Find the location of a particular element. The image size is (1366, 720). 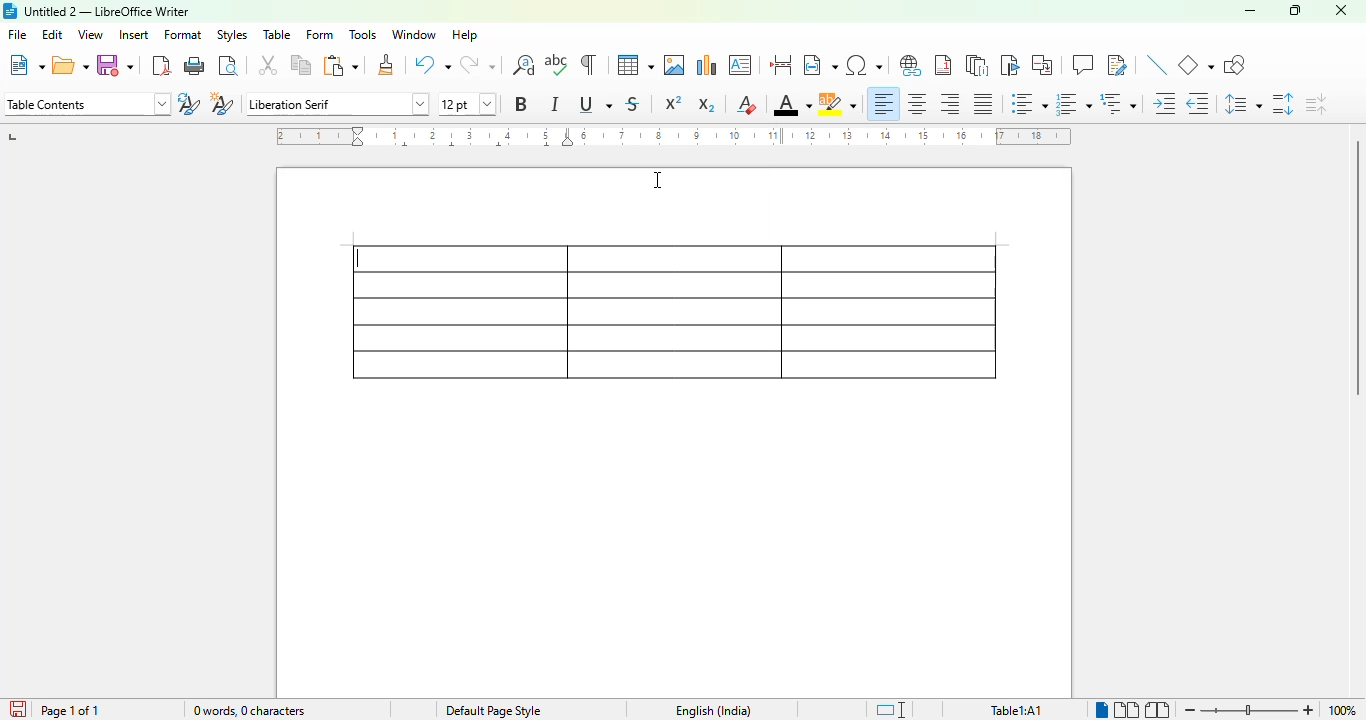

justified is located at coordinates (983, 104).